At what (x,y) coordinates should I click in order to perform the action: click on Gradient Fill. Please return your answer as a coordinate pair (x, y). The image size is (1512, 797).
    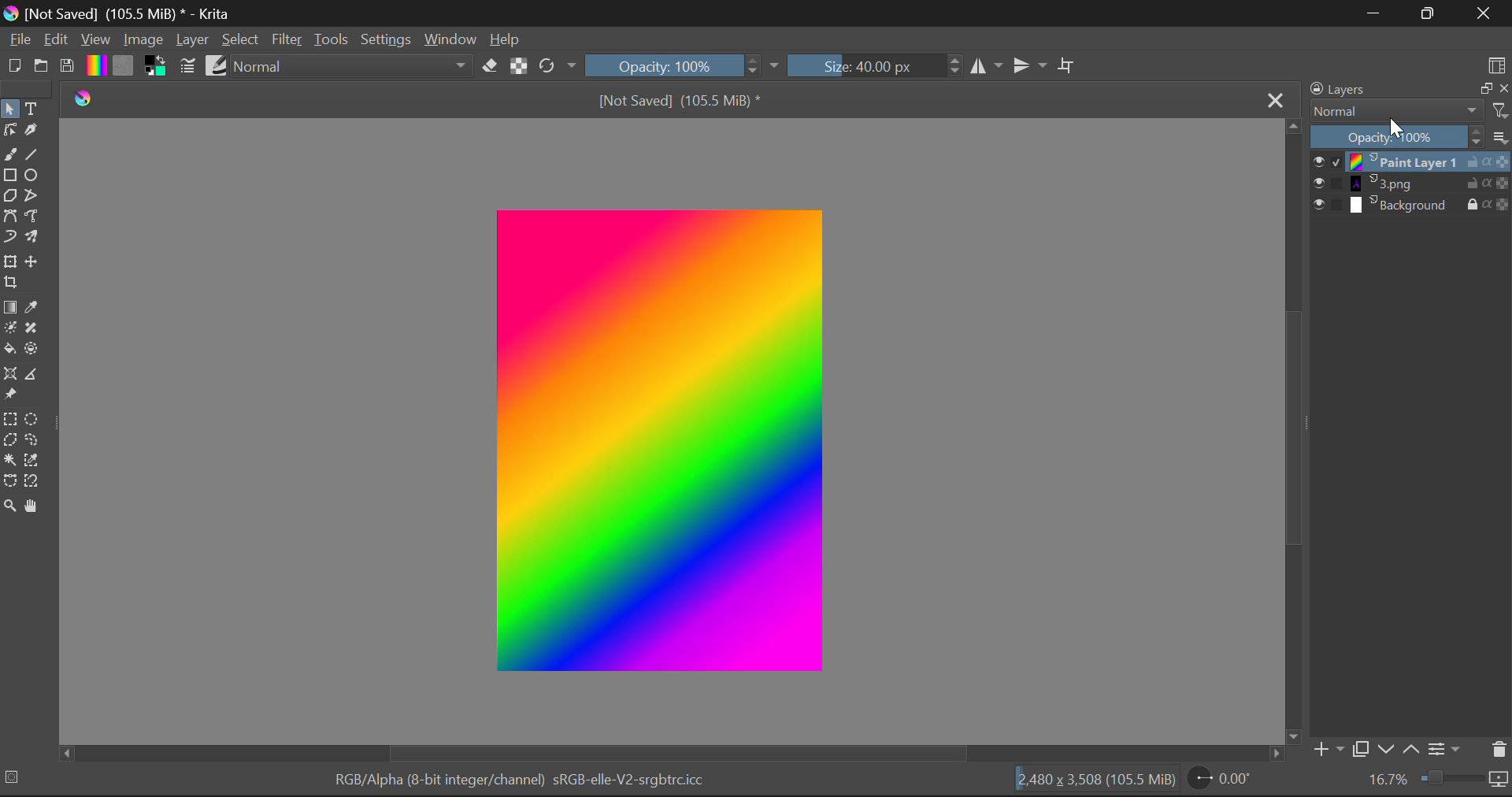
    Looking at the image, I should click on (11, 307).